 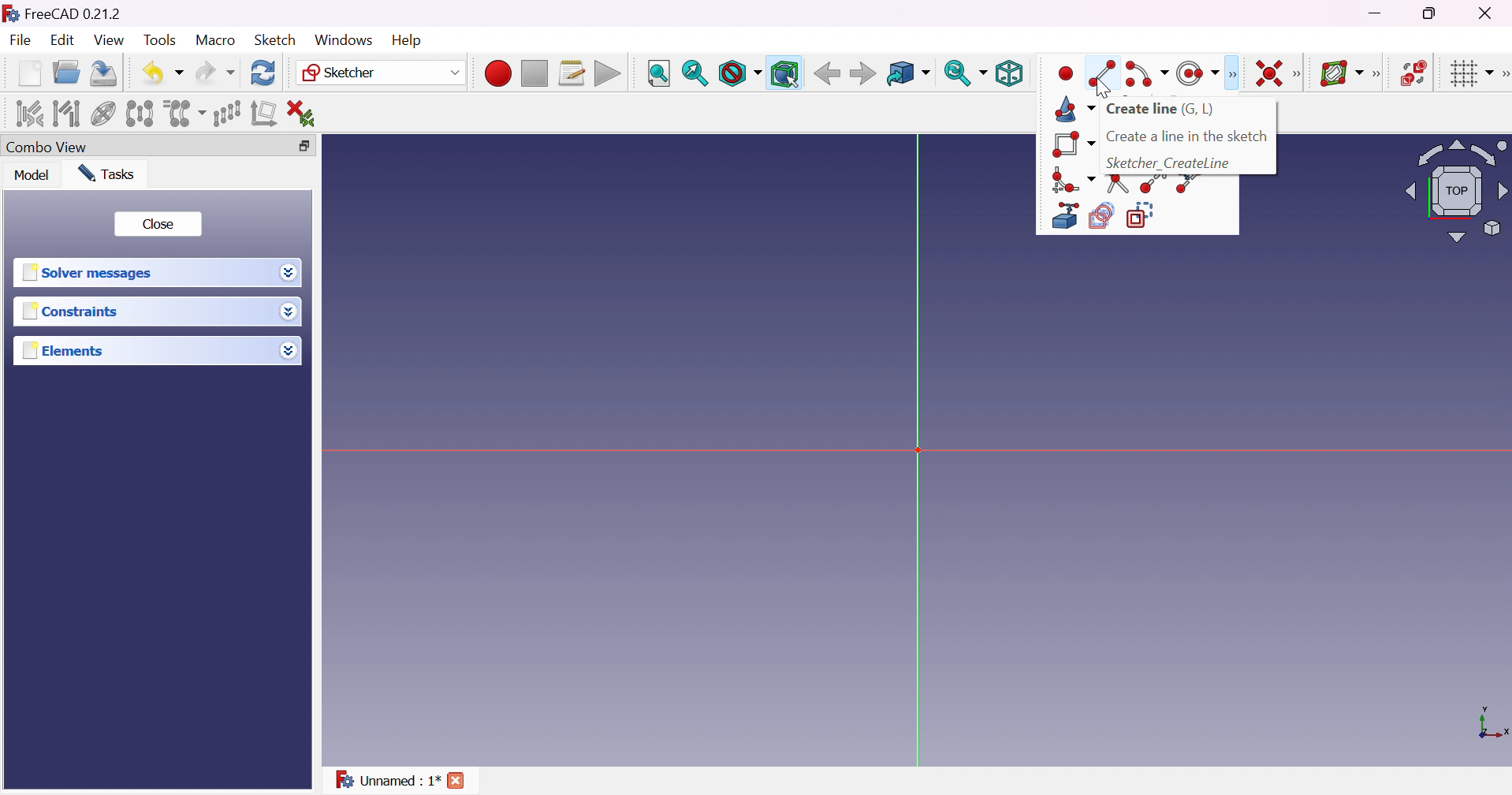 I want to click on Undo, so click(x=162, y=72).